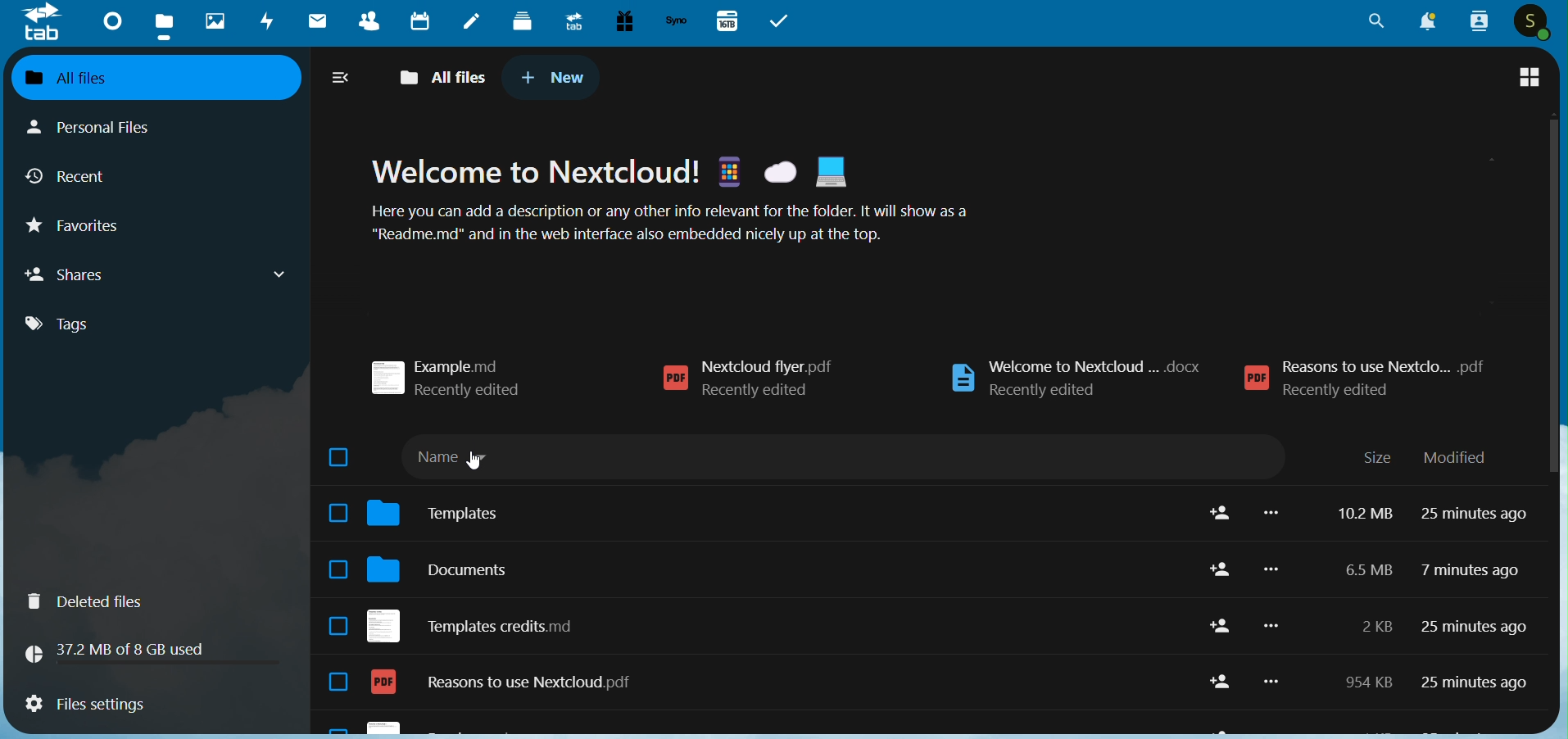  I want to click on Contacts, so click(1477, 21).